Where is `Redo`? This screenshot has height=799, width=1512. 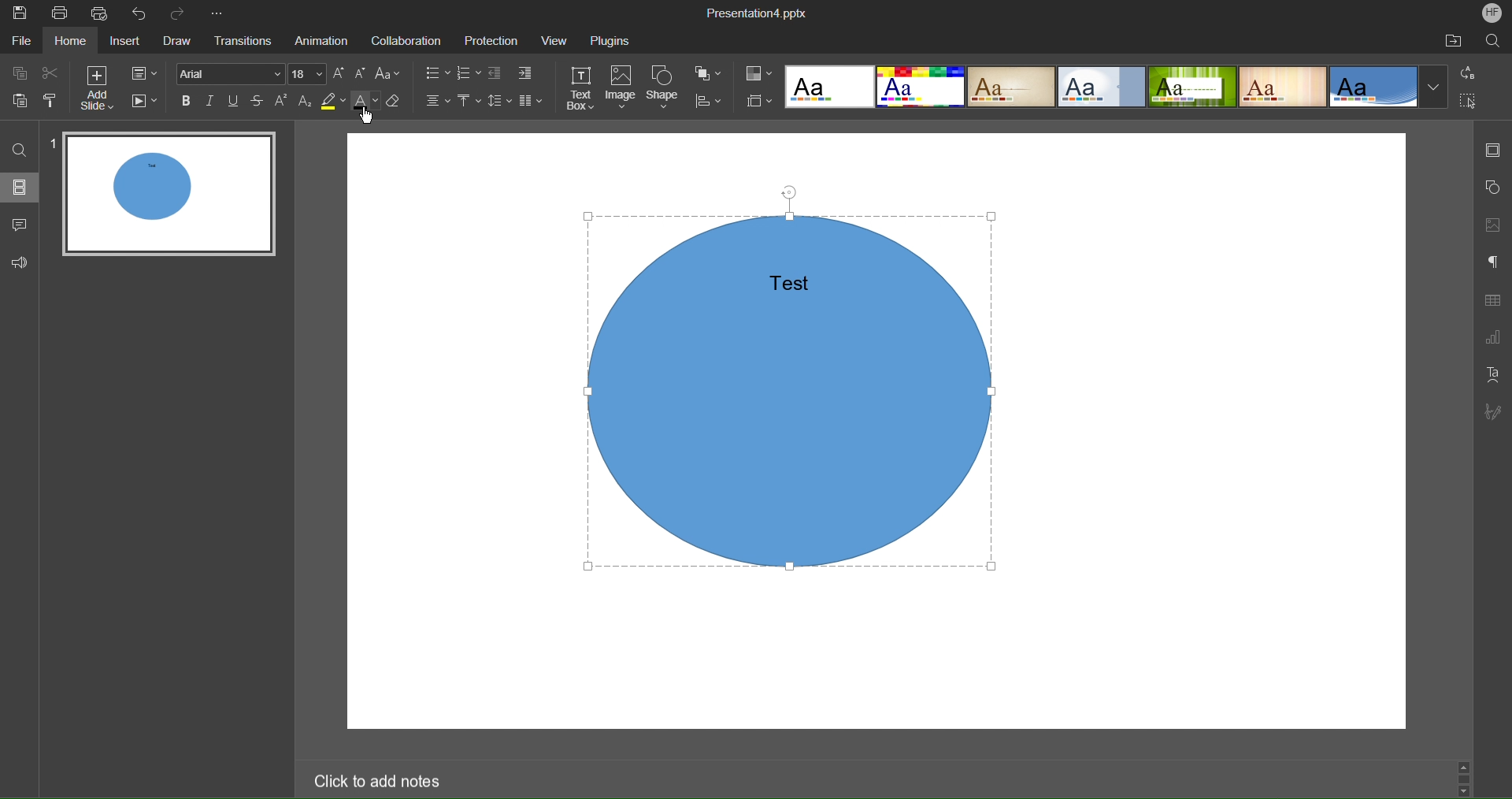
Redo is located at coordinates (182, 13).